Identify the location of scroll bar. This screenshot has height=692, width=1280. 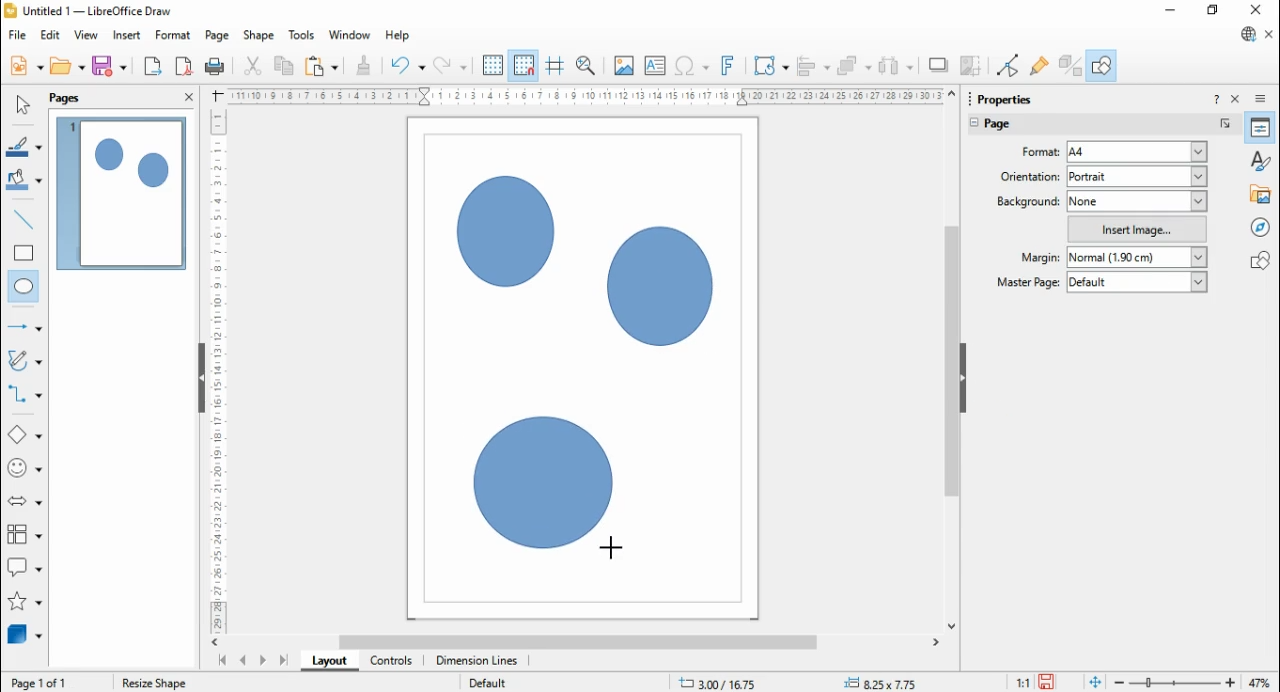
(583, 642).